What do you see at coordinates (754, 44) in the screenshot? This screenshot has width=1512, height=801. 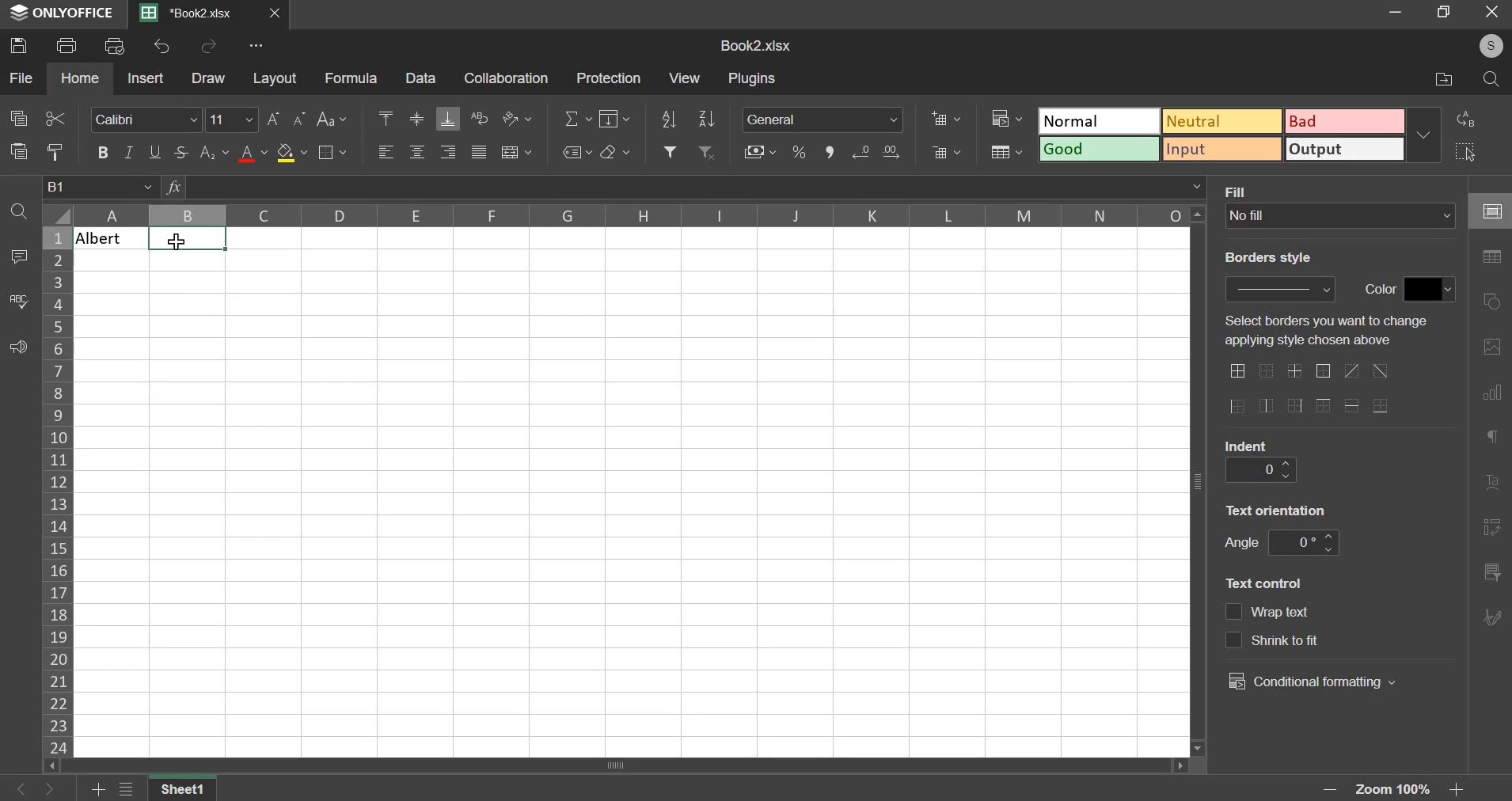 I see `spreadsheet` at bounding box center [754, 44].